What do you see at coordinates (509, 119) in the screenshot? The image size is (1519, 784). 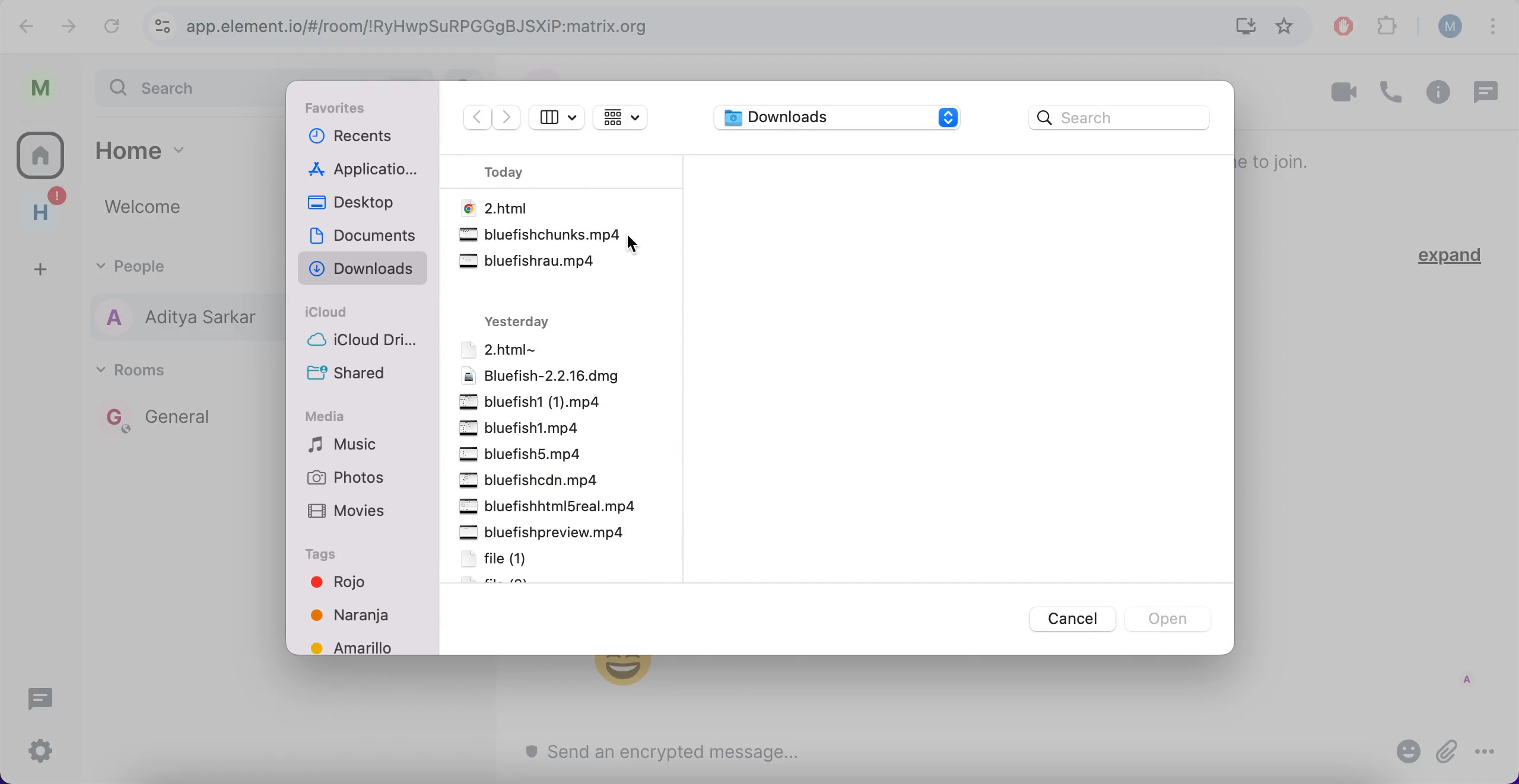 I see `forwards` at bounding box center [509, 119].